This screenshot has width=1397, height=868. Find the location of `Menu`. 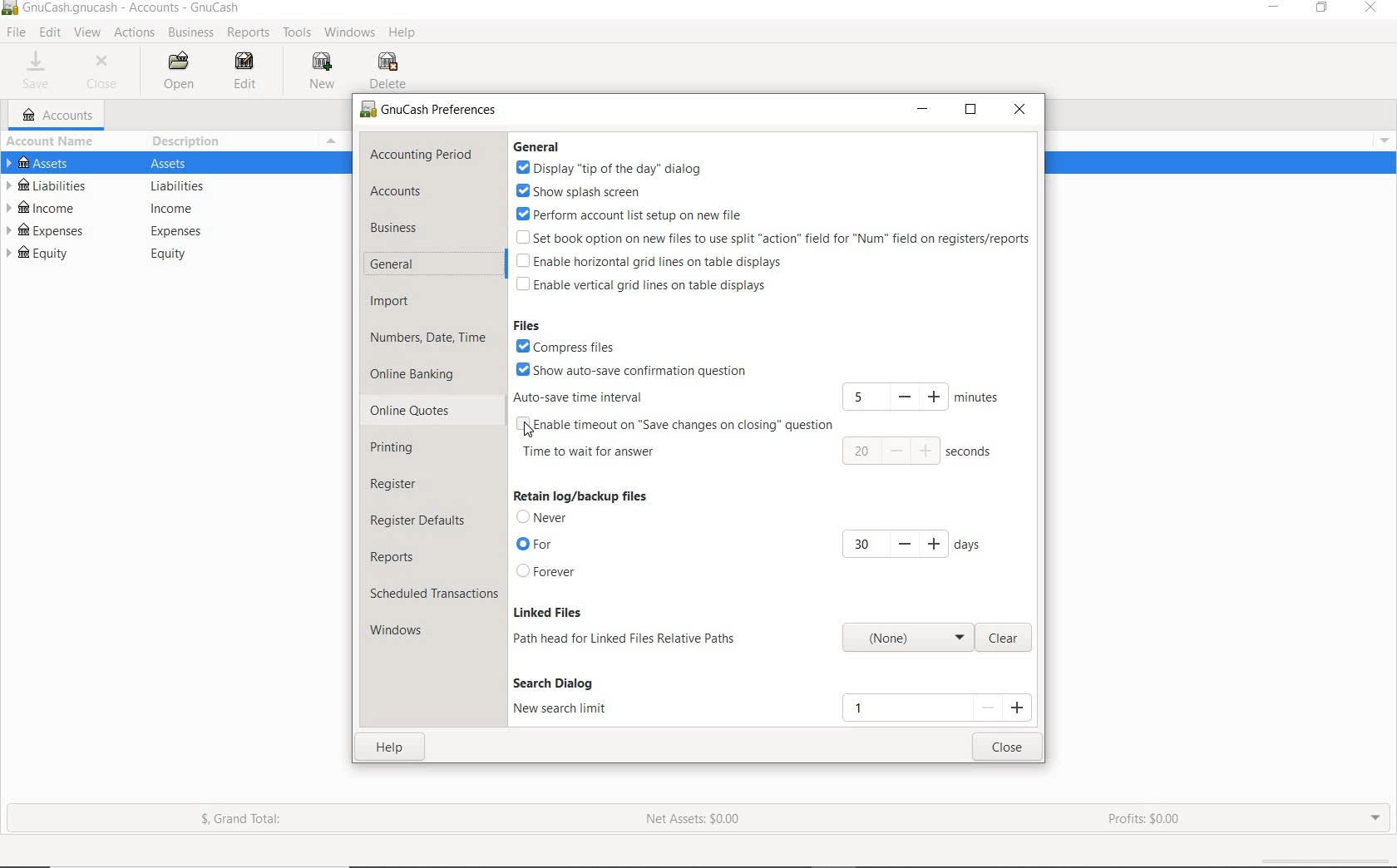

Menu is located at coordinates (332, 141).